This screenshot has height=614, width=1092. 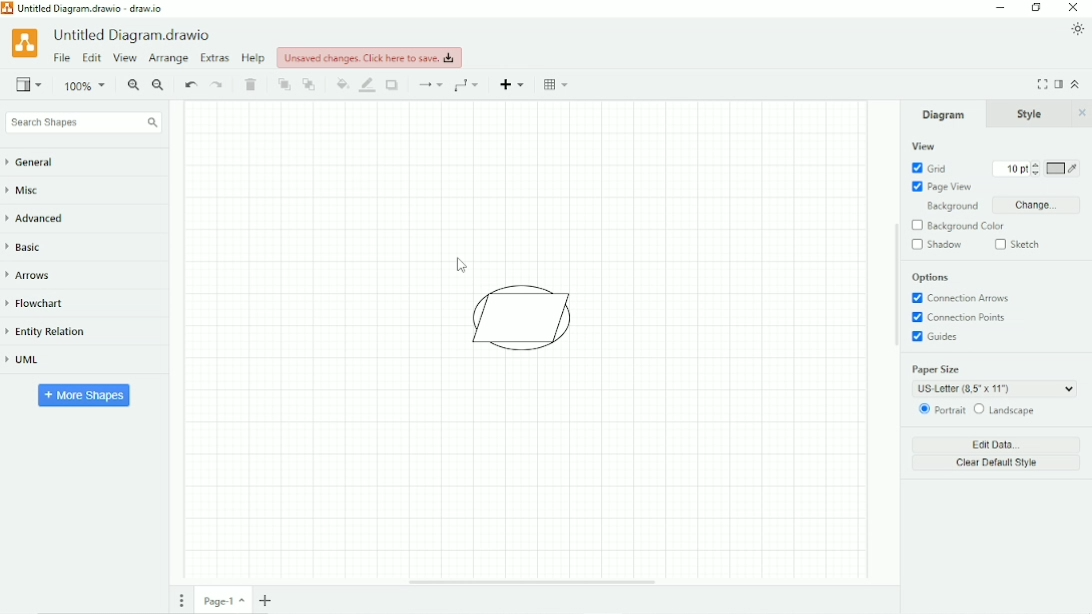 What do you see at coordinates (942, 187) in the screenshot?
I see `Page view` at bounding box center [942, 187].